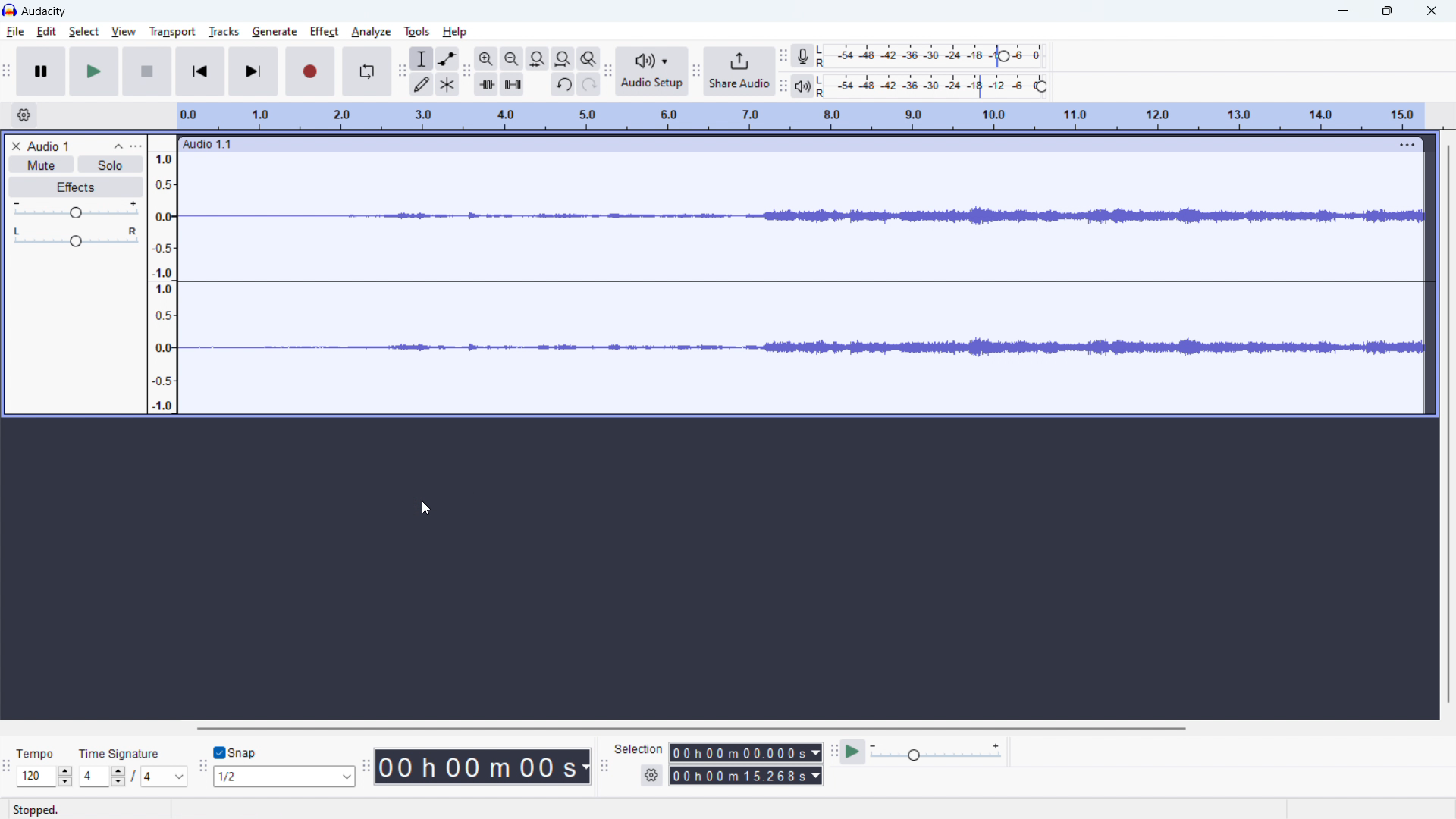 The height and width of the screenshot is (819, 1456). I want to click on Open Menu, so click(234, 809).